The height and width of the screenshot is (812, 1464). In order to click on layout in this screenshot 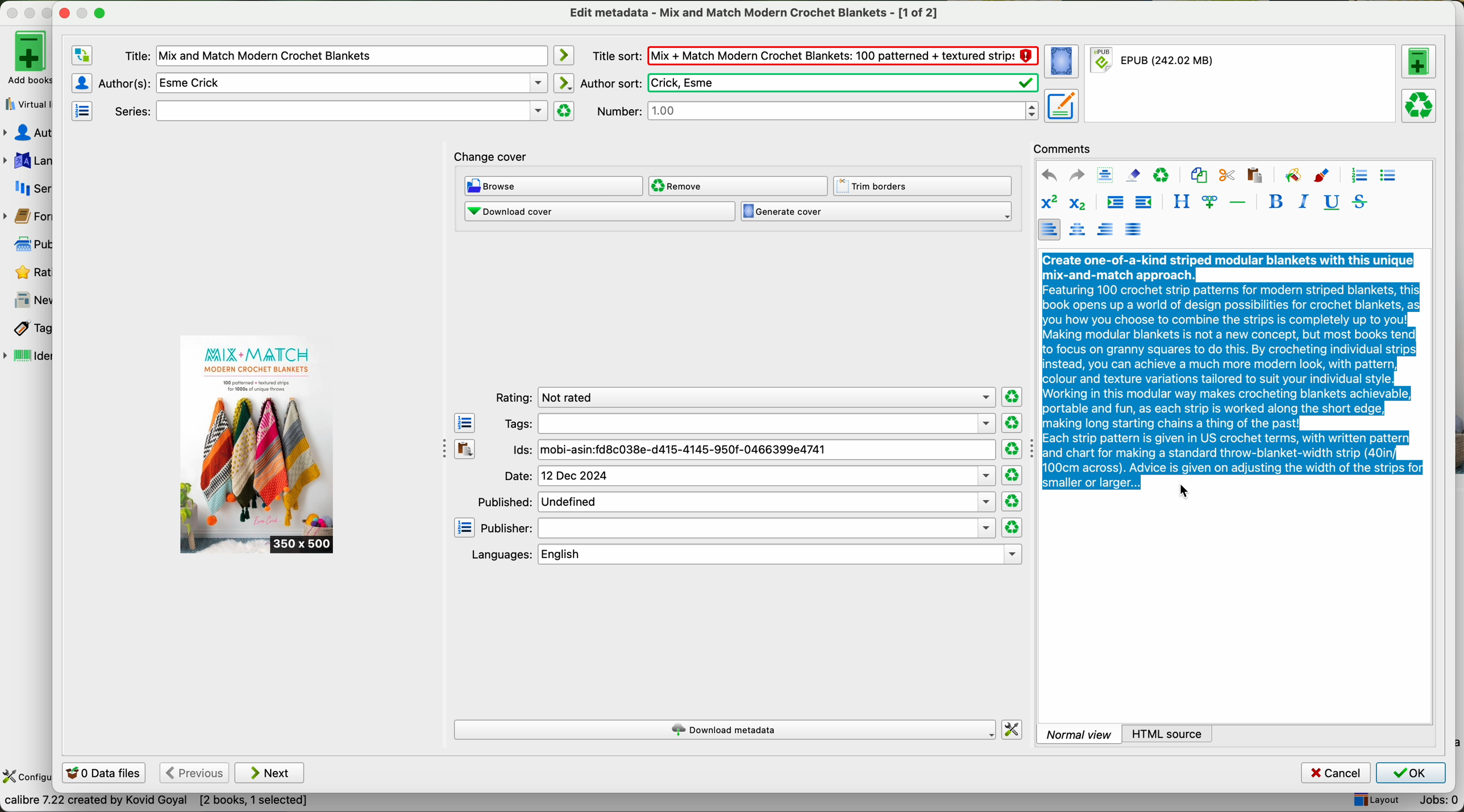, I will do `click(1375, 801)`.